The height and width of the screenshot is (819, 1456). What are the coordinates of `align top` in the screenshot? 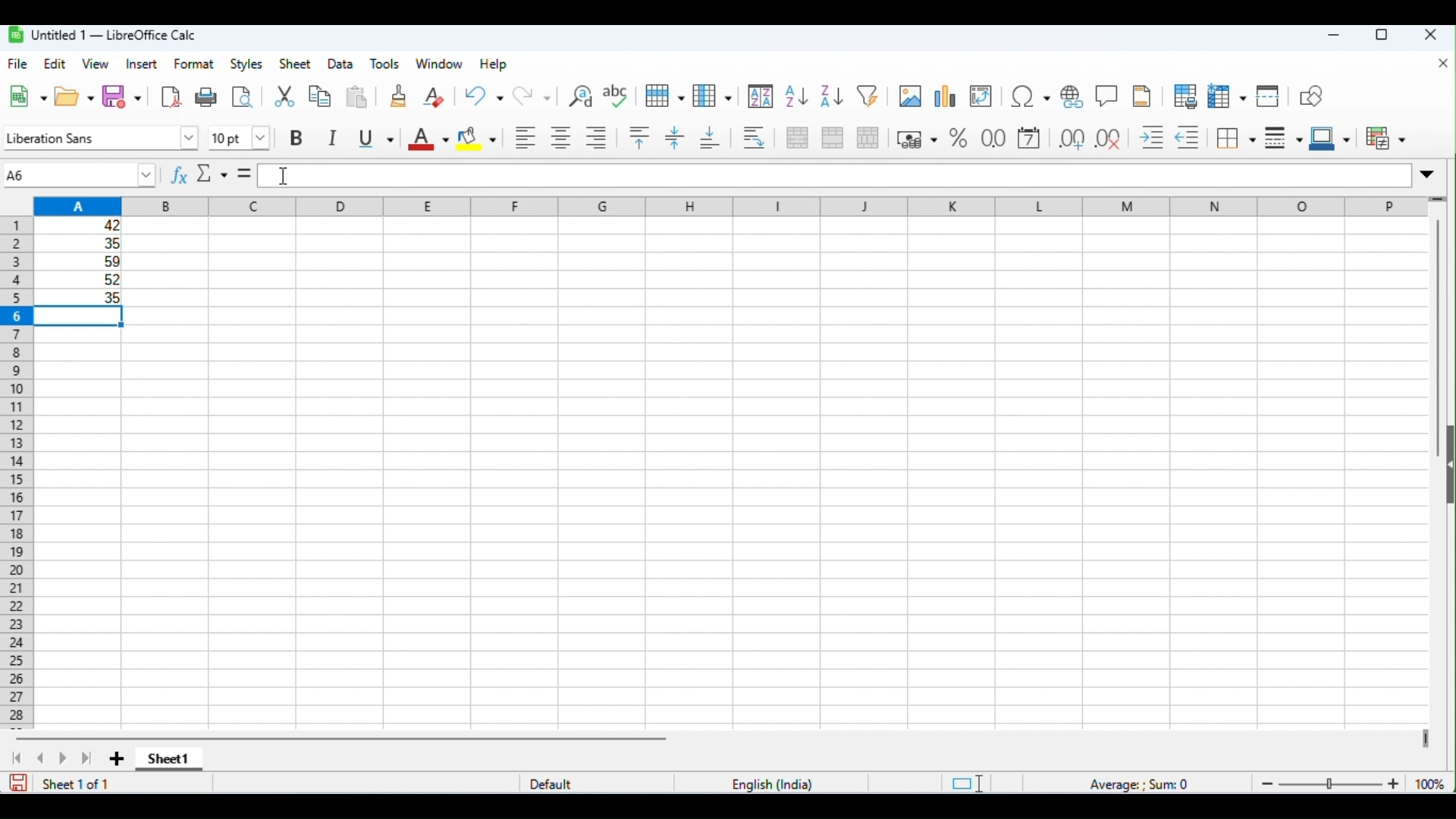 It's located at (642, 137).